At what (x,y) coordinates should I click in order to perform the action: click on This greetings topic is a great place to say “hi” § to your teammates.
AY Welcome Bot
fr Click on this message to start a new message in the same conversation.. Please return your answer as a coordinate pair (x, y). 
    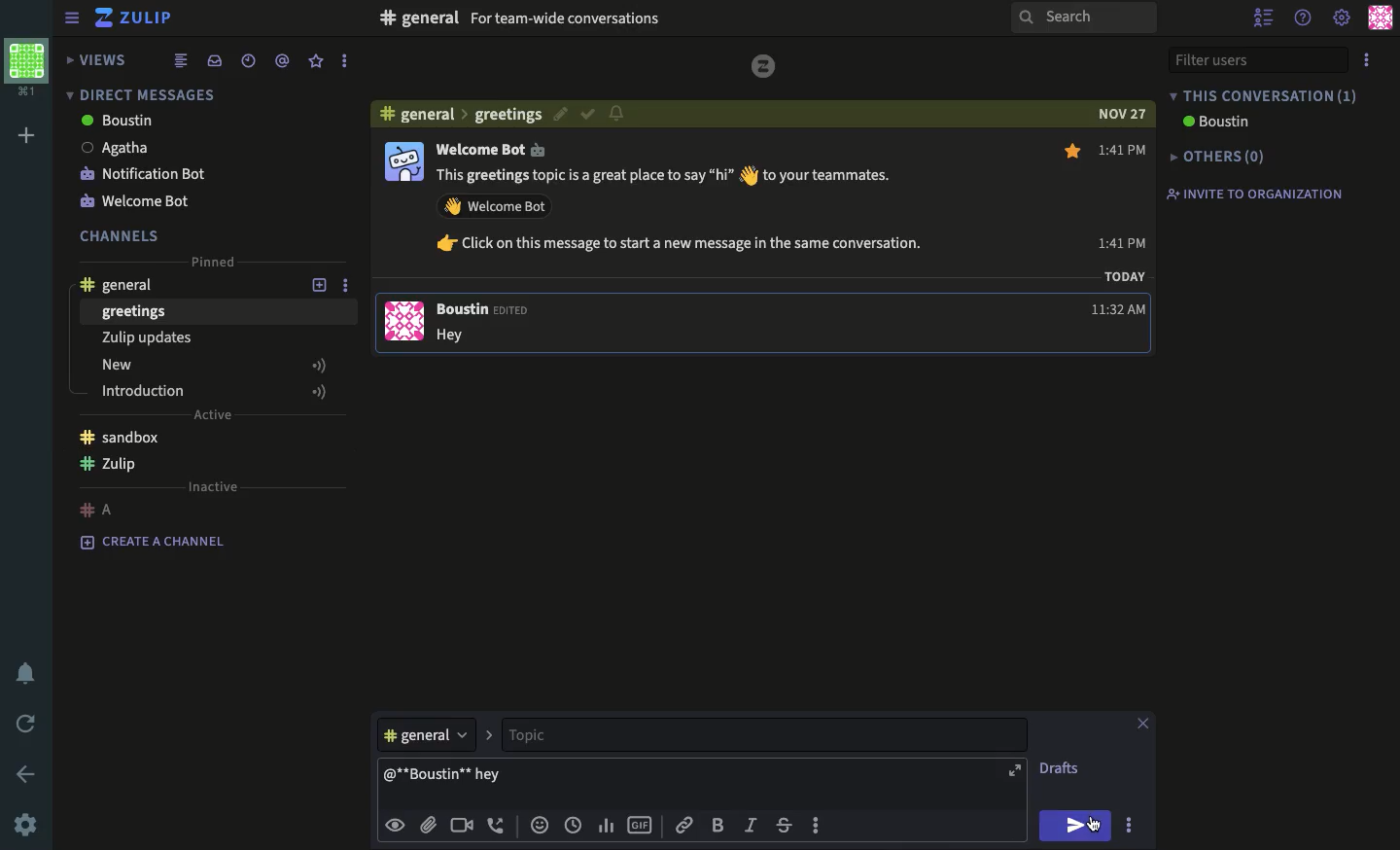
    Looking at the image, I should click on (684, 212).